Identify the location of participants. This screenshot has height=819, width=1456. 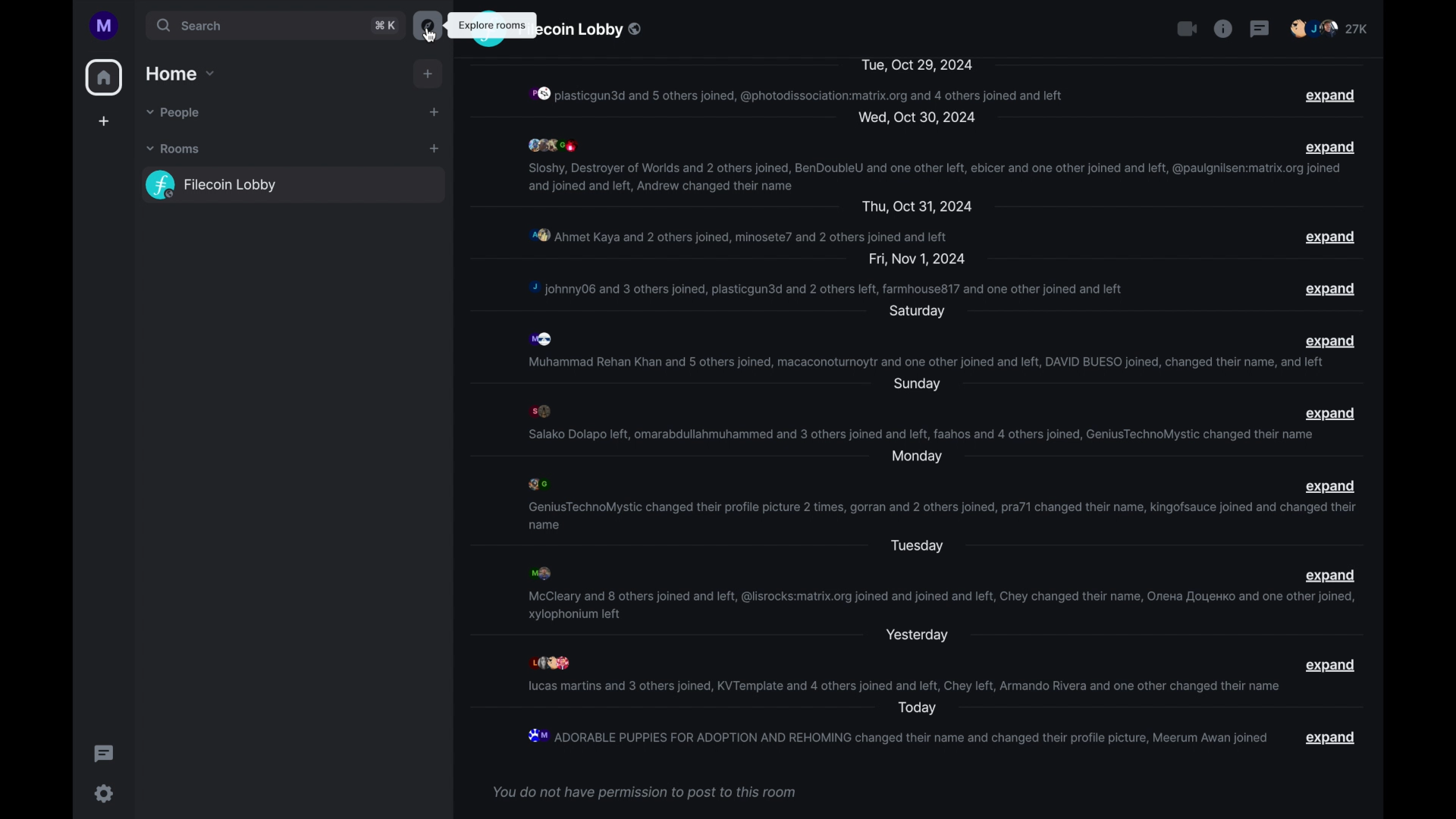
(543, 411).